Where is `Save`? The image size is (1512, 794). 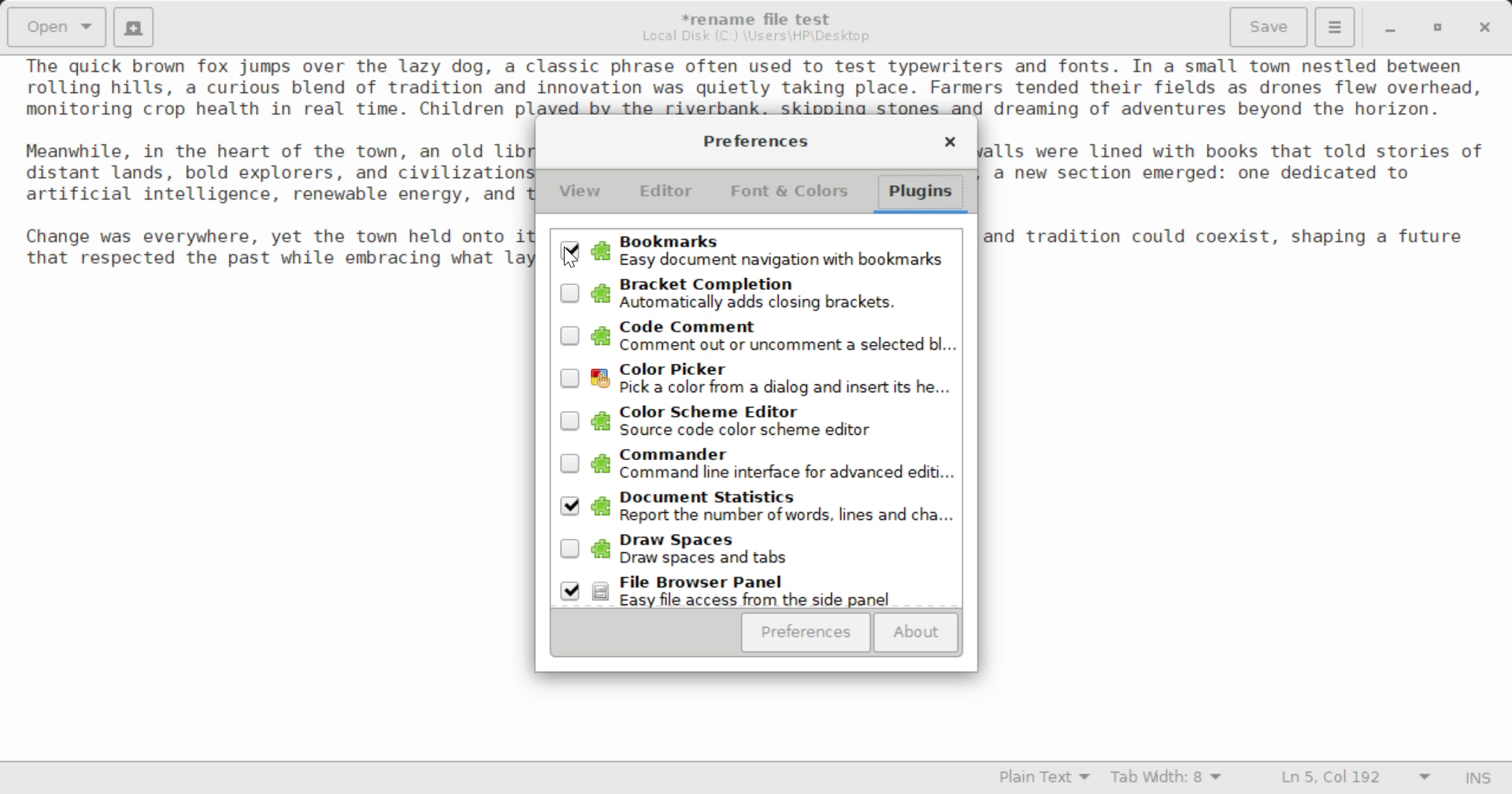
Save is located at coordinates (1270, 28).